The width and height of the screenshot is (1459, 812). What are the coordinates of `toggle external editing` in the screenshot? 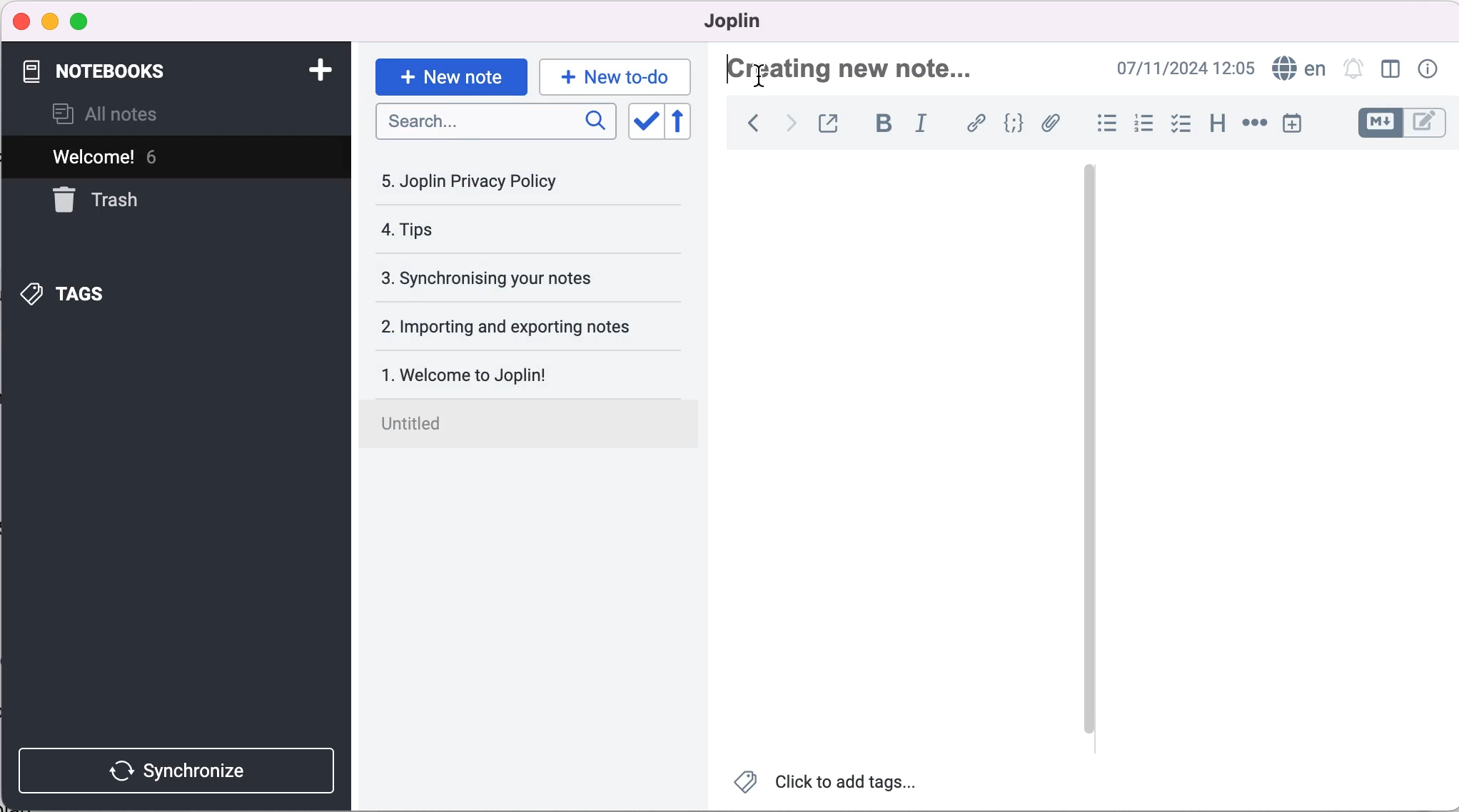 It's located at (832, 123).